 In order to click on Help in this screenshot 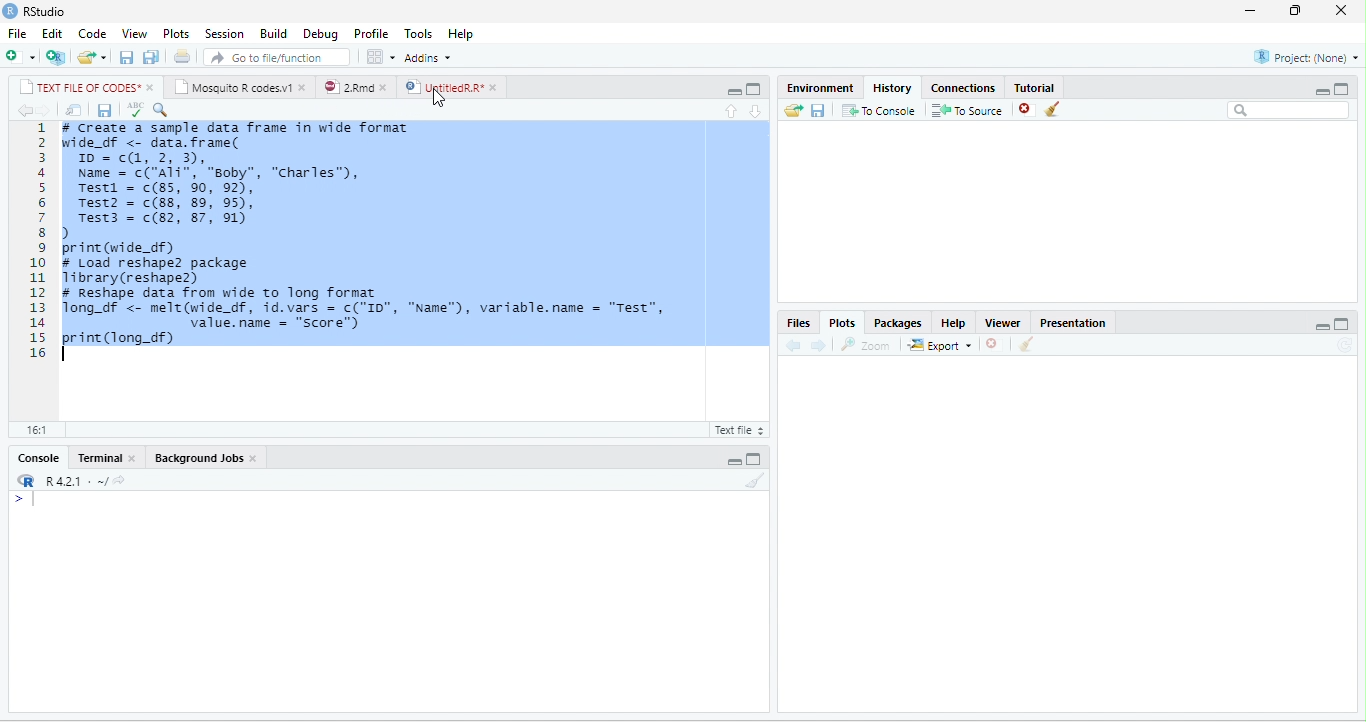, I will do `click(954, 323)`.